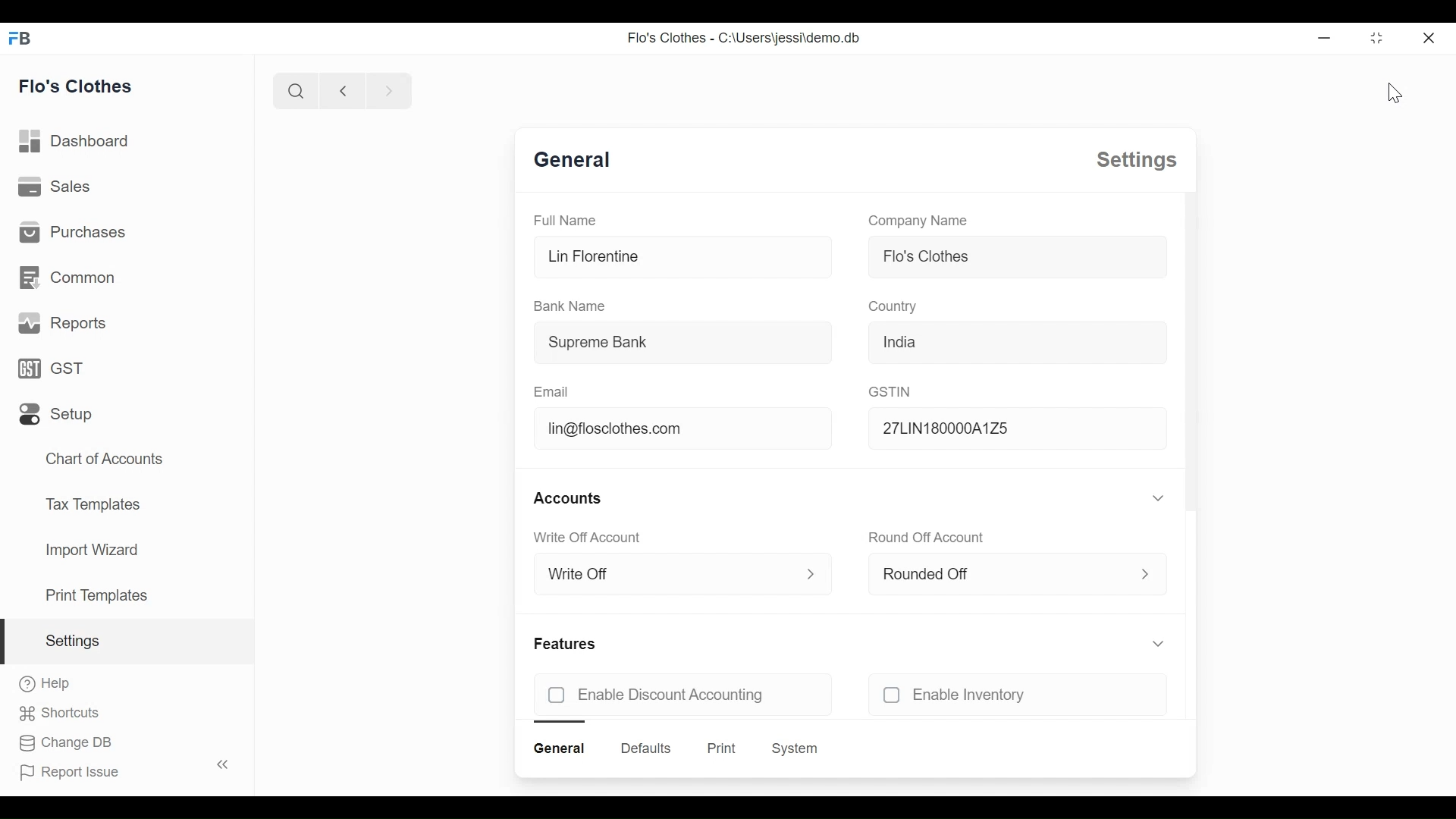 The width and height of the screenshot is (1456, 819). I want to click on Write Off Account, so click(594, 534).